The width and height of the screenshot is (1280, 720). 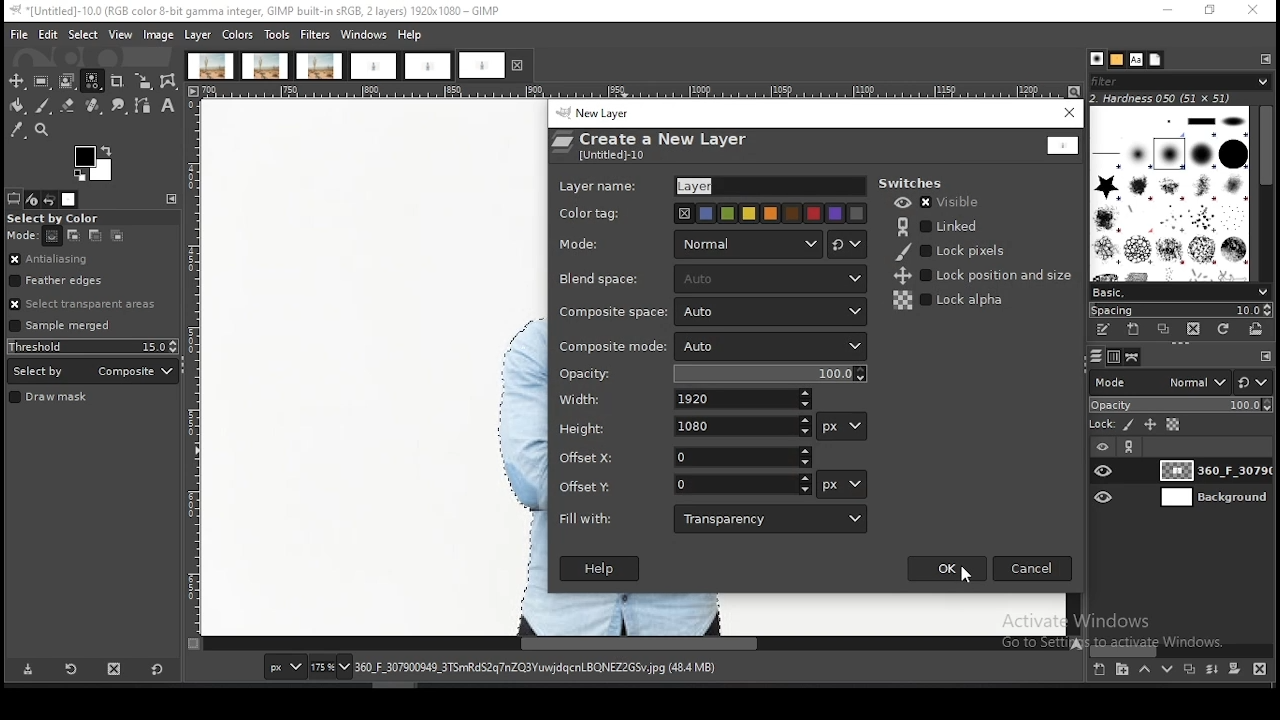 I want to click on mouse pointer, so click(x=965, y=579).